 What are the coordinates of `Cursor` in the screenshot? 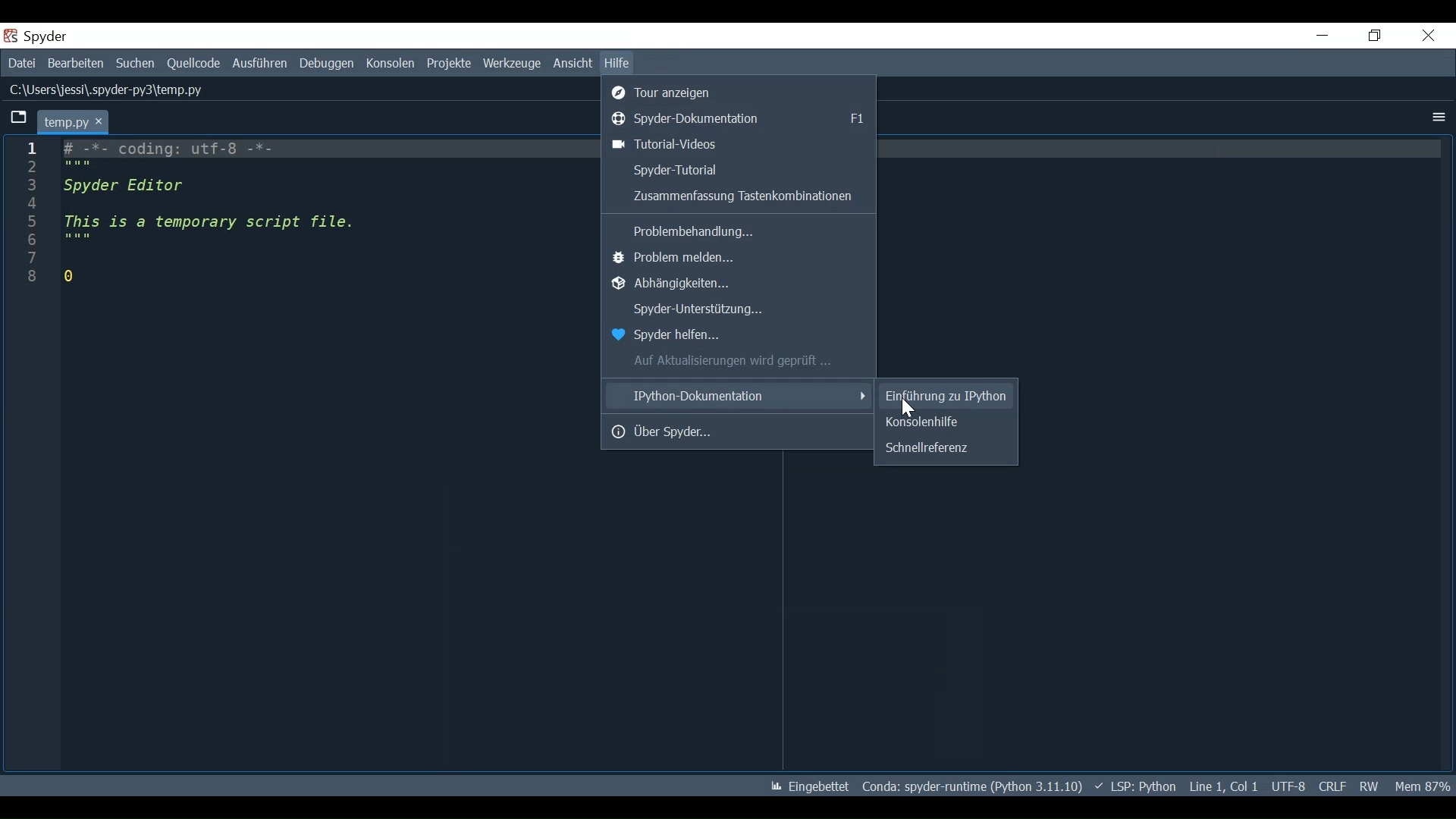 It's located at (908, 409).